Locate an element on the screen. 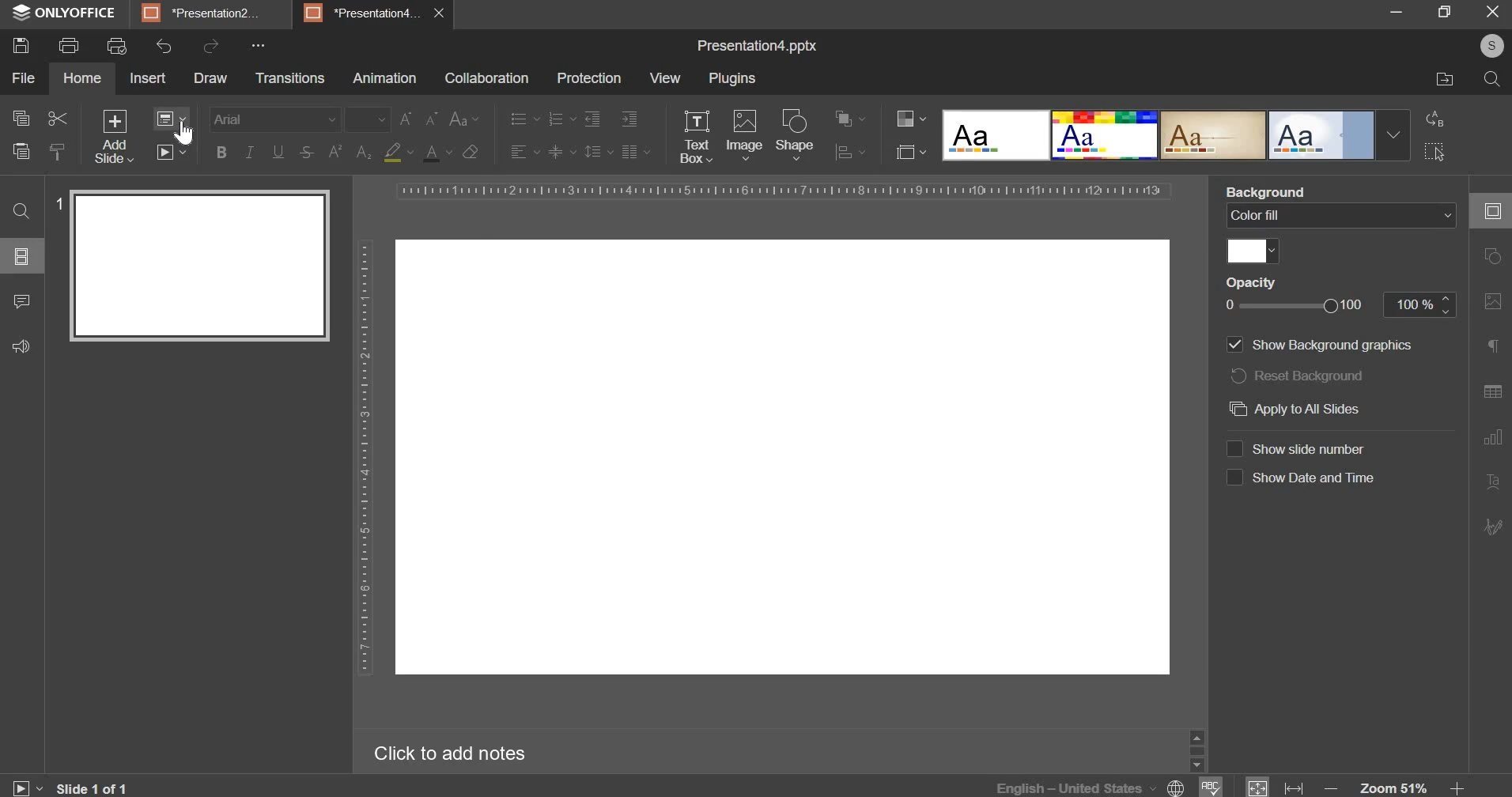 Image resolution: width=1512 pixels, height=797 pixels. show slide number is located at coordinates (1317, 448).